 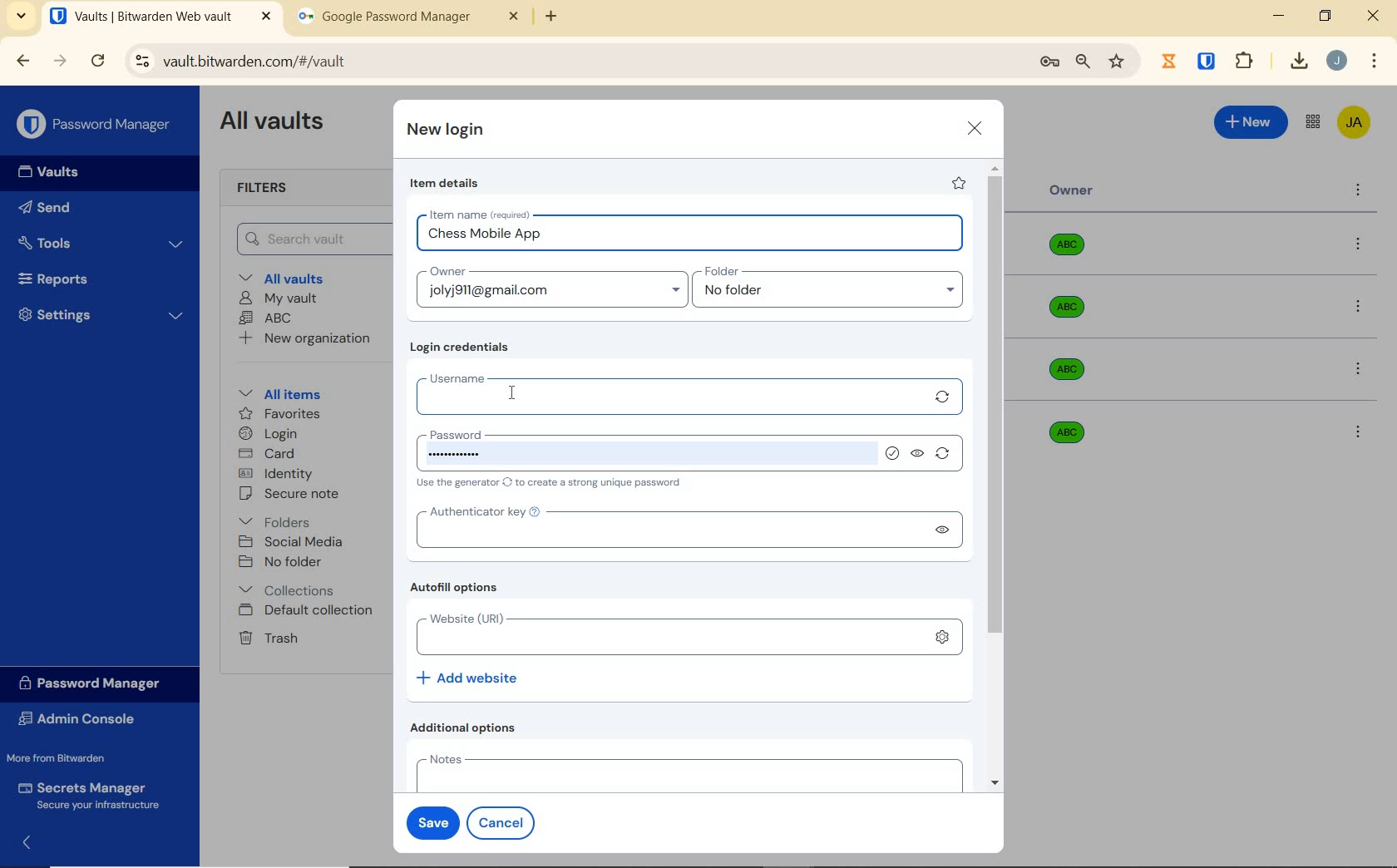 What do you see at coordinates (22, 61) in the screenshot?
I see `backward` at bounding box center [22, 61].